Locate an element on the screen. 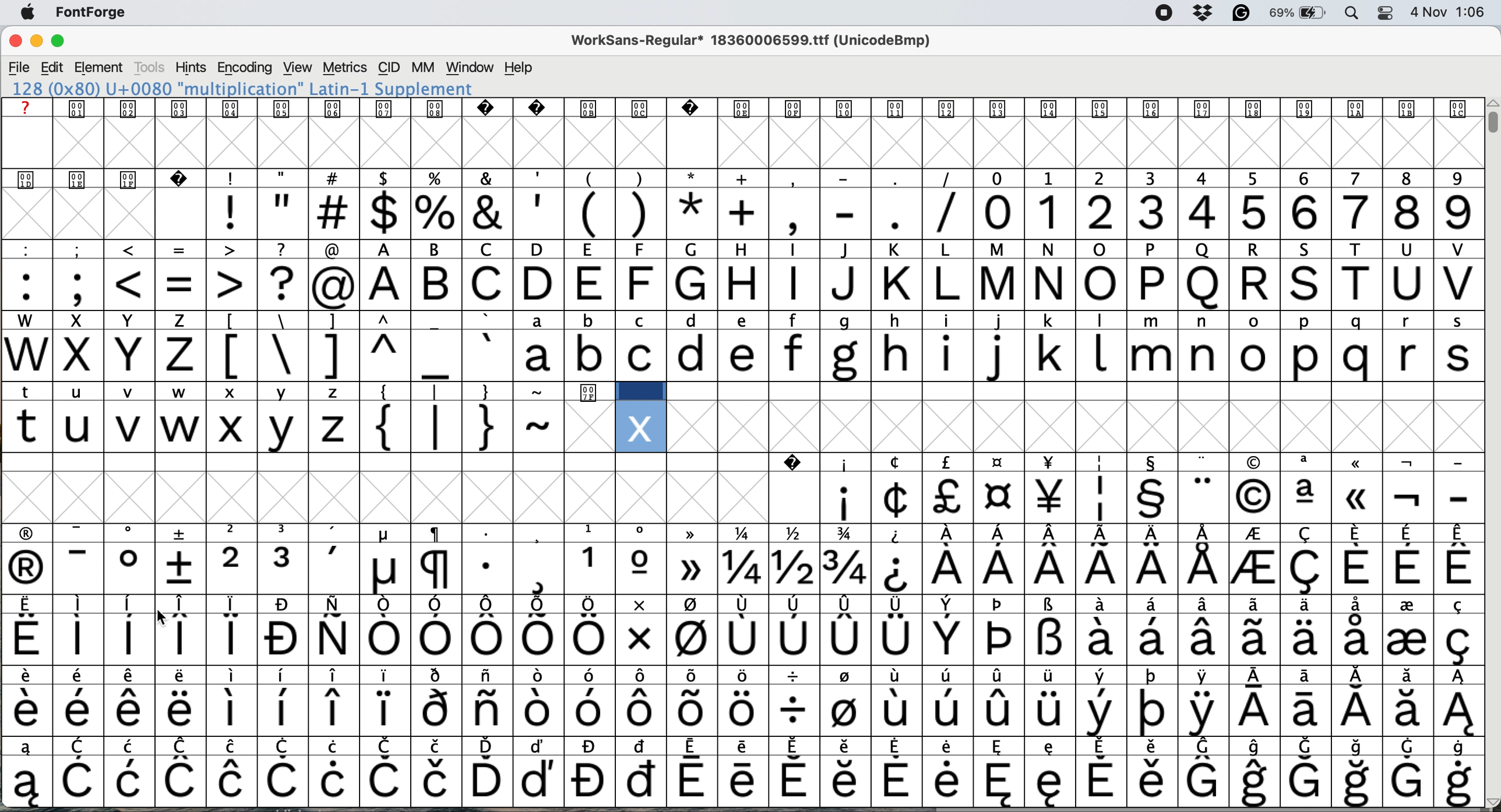 This screenshot has width=1501, height=812. minimise is located at coordinates (35, 43).